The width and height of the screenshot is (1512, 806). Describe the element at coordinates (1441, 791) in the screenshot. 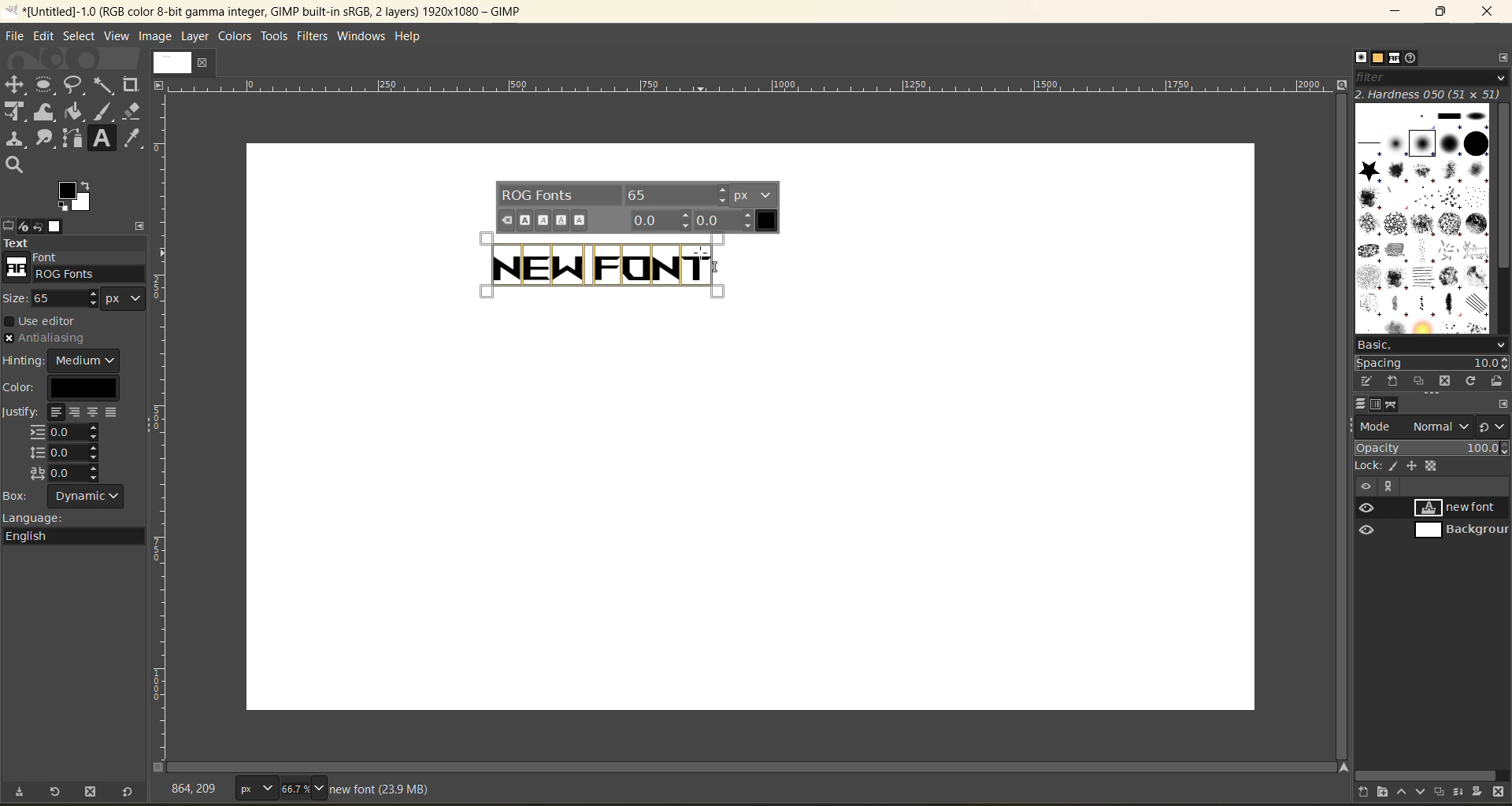

I see `create a duplicate` at that location.